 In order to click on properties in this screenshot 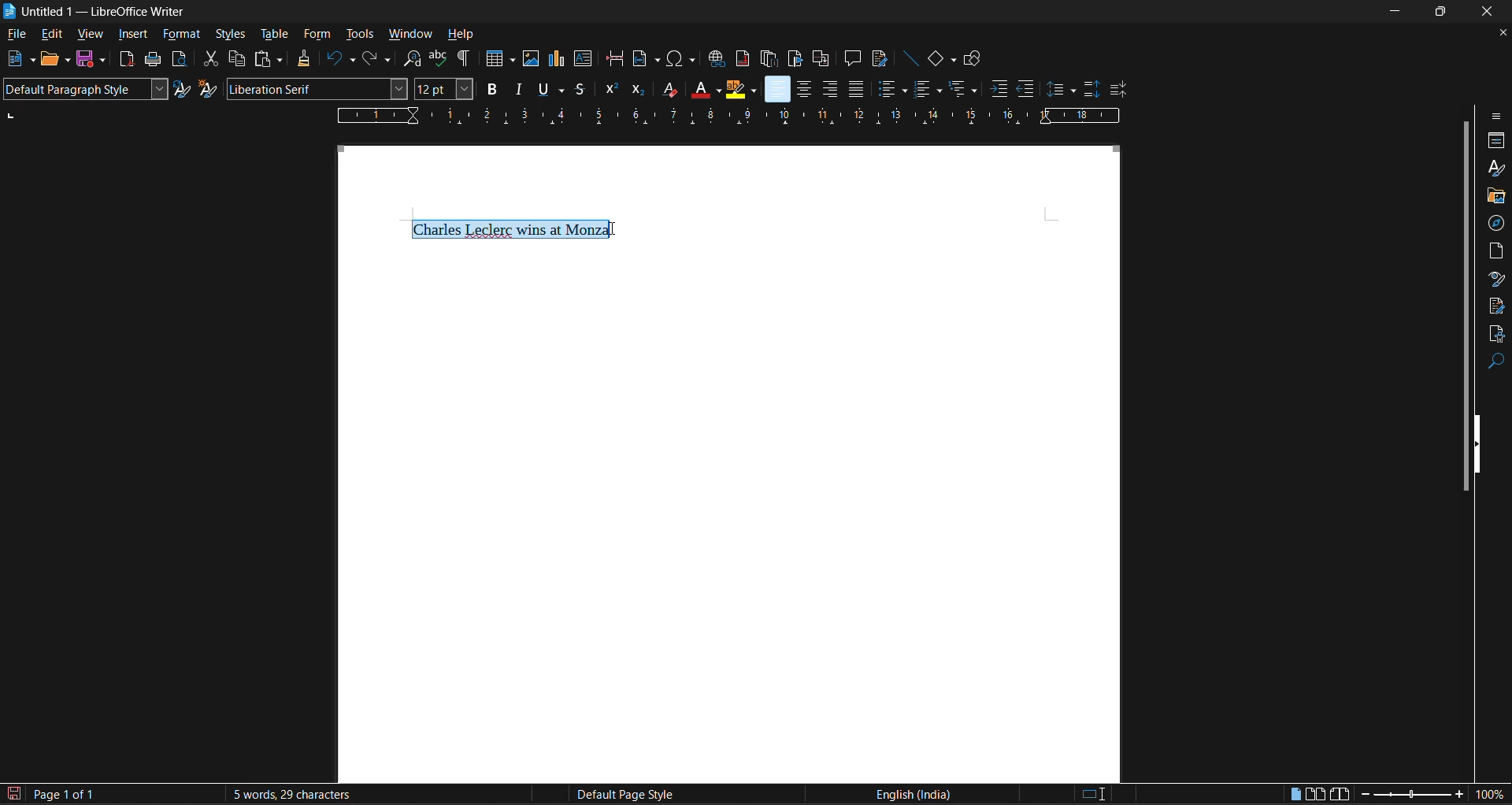, I will do `click(1496, 139)`.